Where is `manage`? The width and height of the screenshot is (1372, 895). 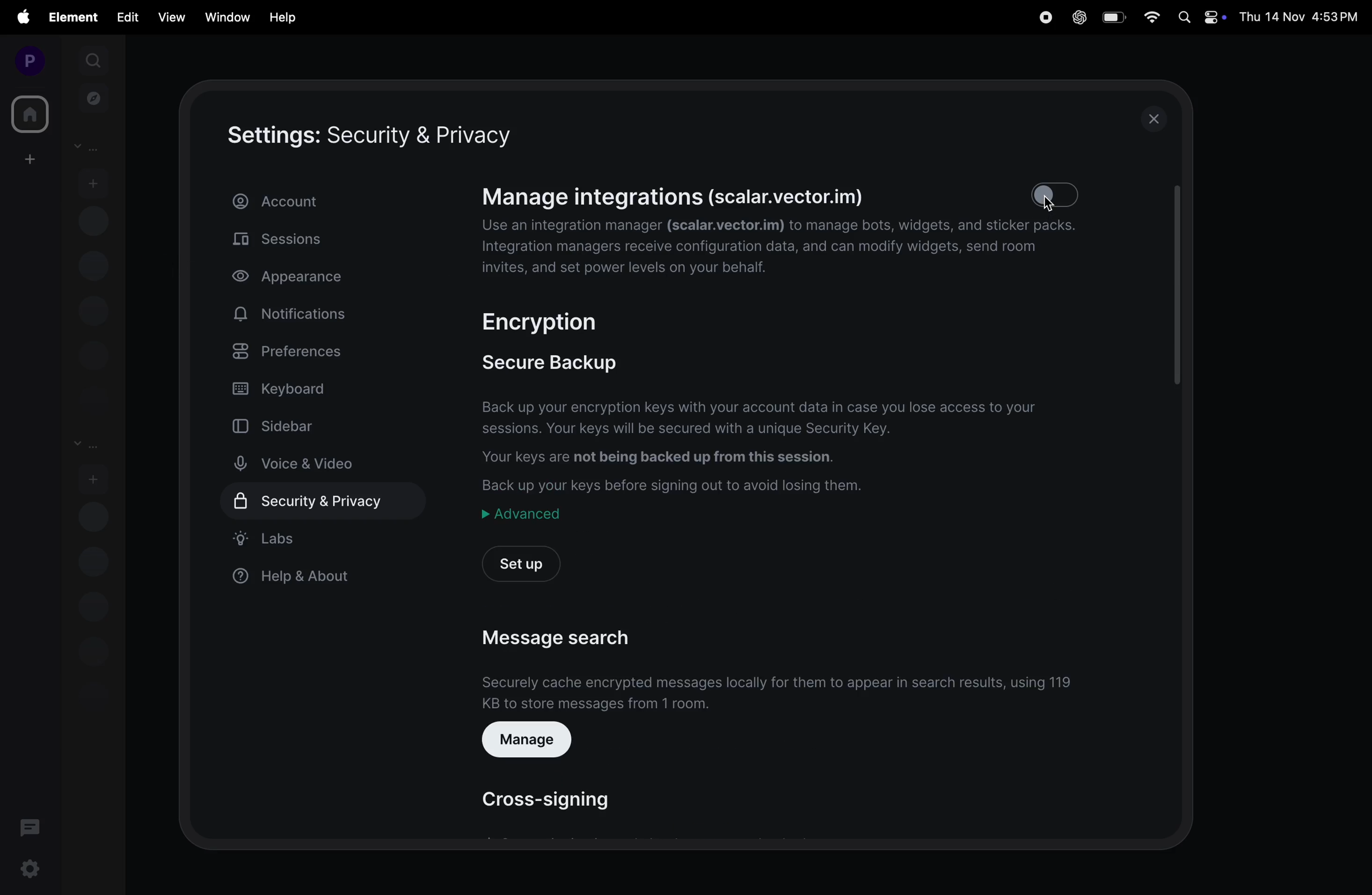
manage is located at coordinates (527, 739).